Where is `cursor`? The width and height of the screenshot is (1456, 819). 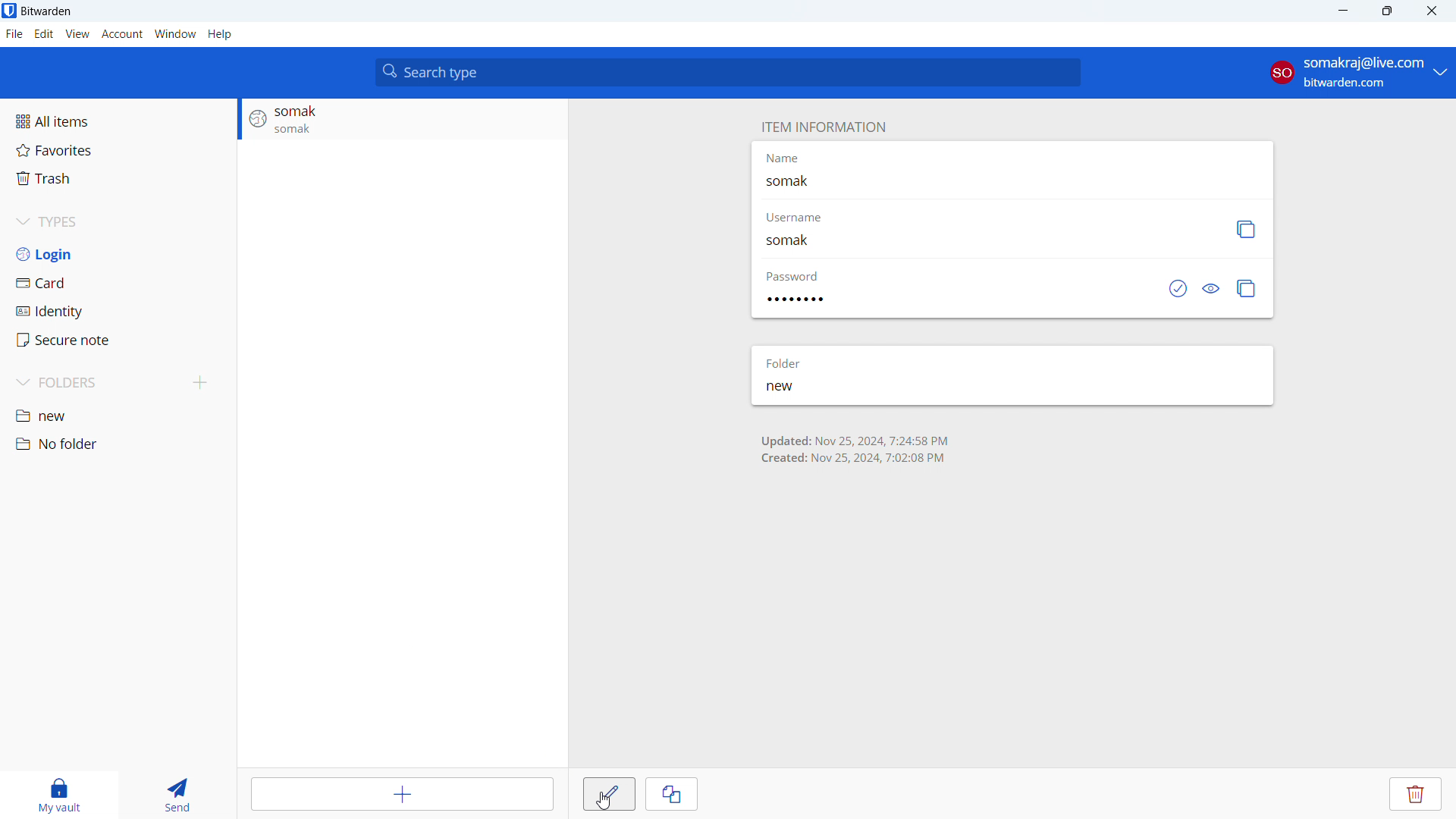 cursor is located at coordinates (606, 803).